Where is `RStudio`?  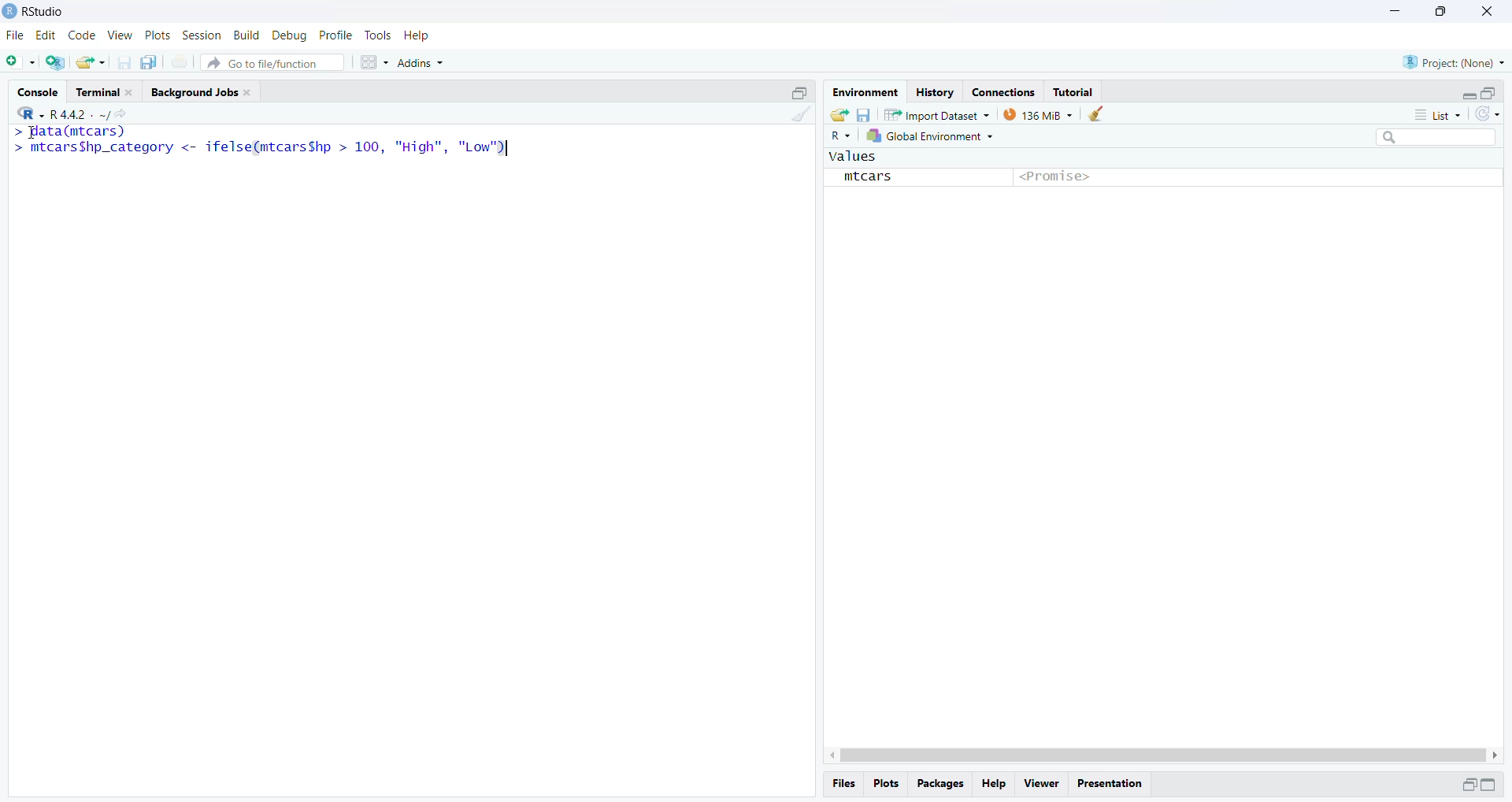
RStudio is located at coordinates (42, 12).